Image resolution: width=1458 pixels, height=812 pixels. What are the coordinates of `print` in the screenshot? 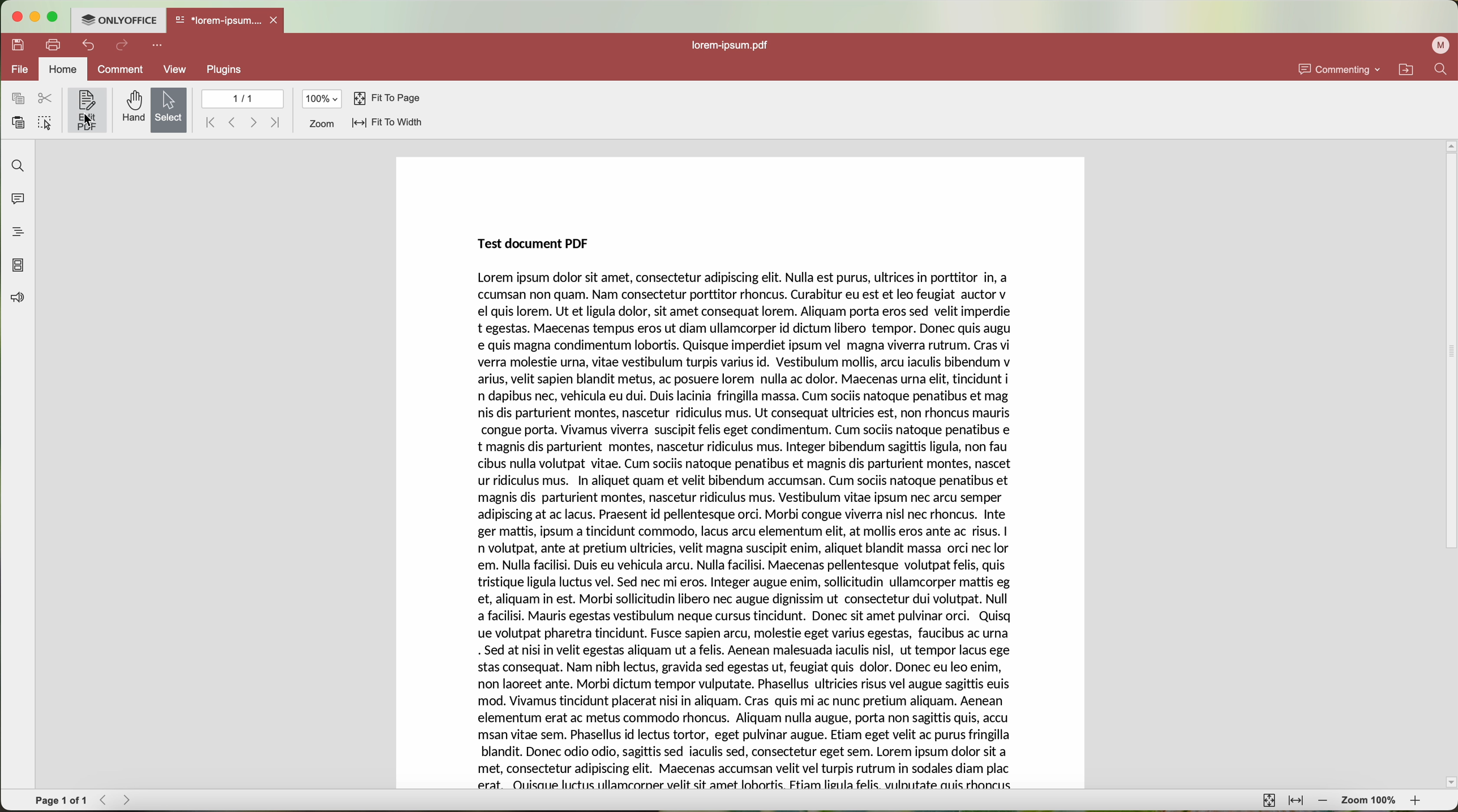 It's located at (53, 44).